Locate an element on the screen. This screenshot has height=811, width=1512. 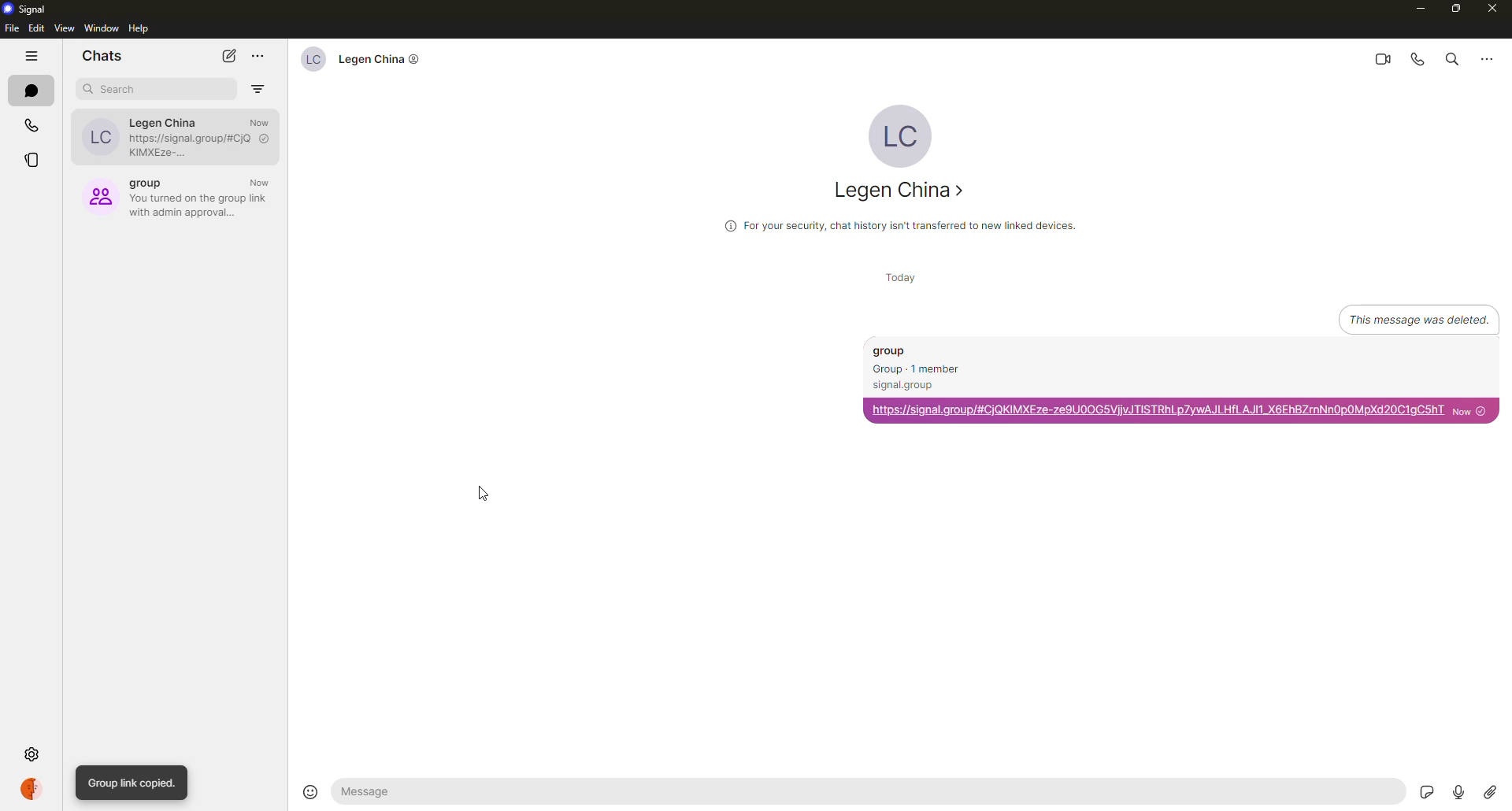
minimize is located at coordinates (1413, 8).